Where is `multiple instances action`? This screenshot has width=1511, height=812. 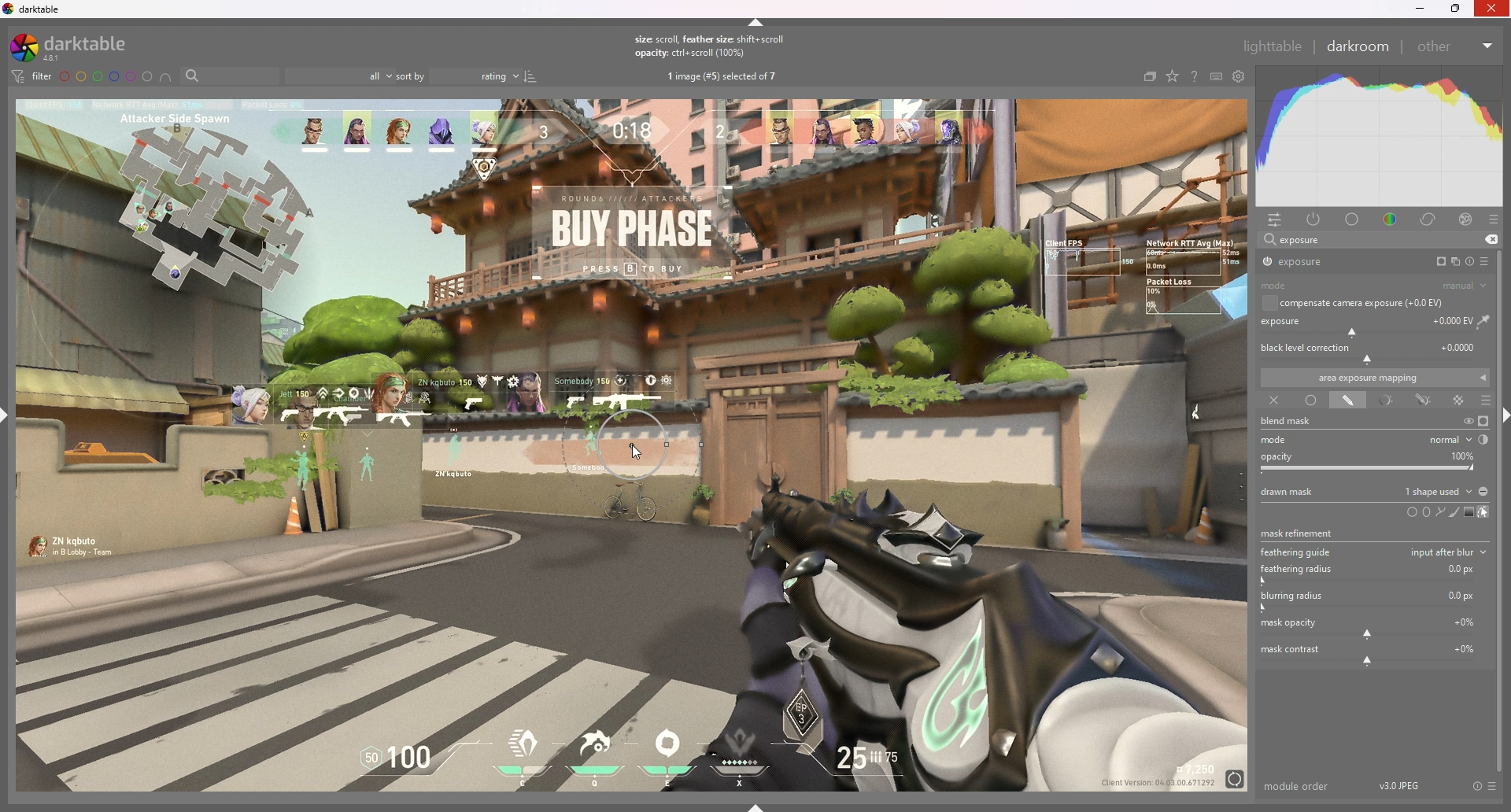
multiple instances action is located at coordinates (1451, 262).